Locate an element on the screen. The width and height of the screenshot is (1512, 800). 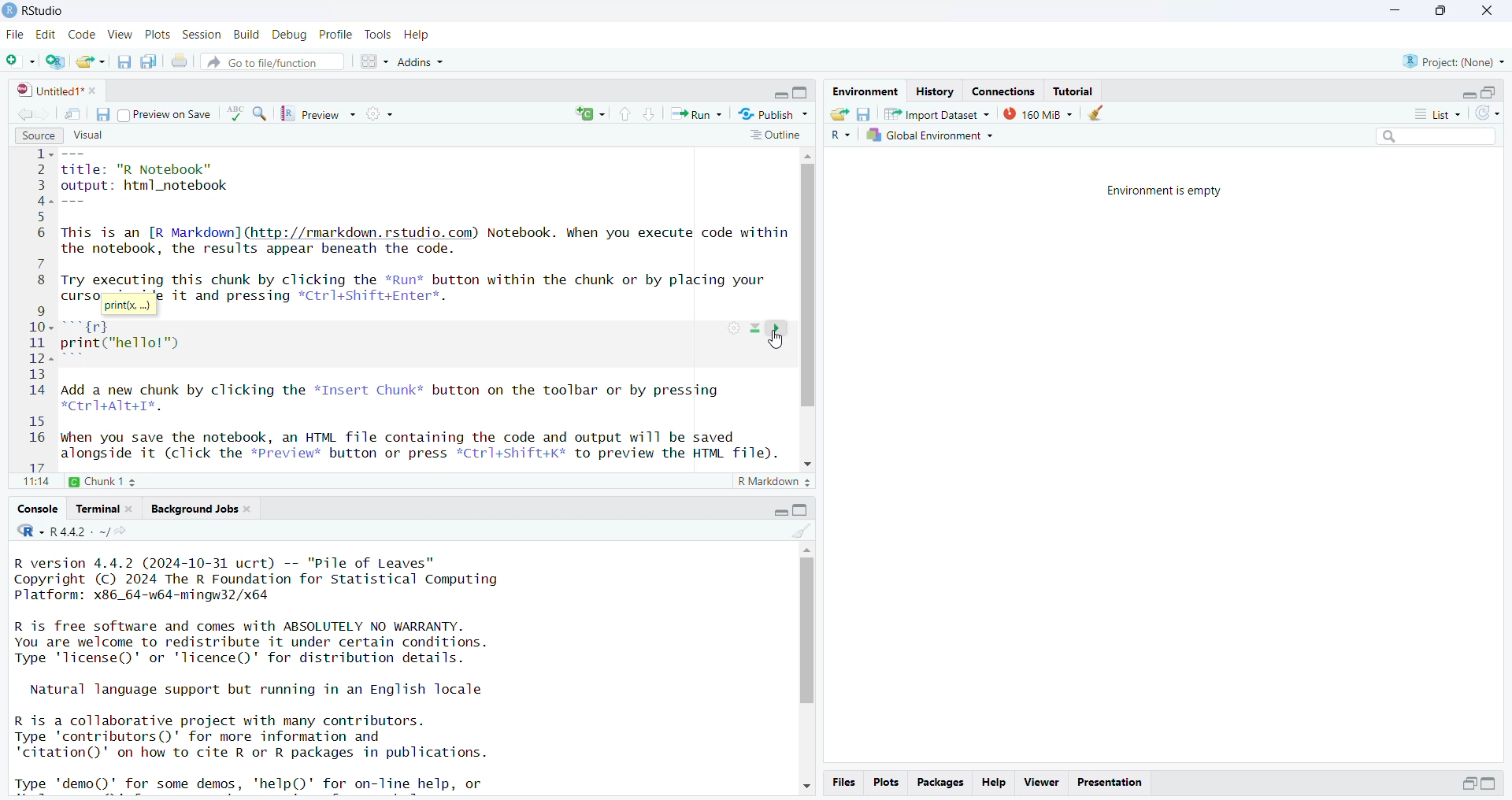
scrollbar is located at coordinates (810, 311).